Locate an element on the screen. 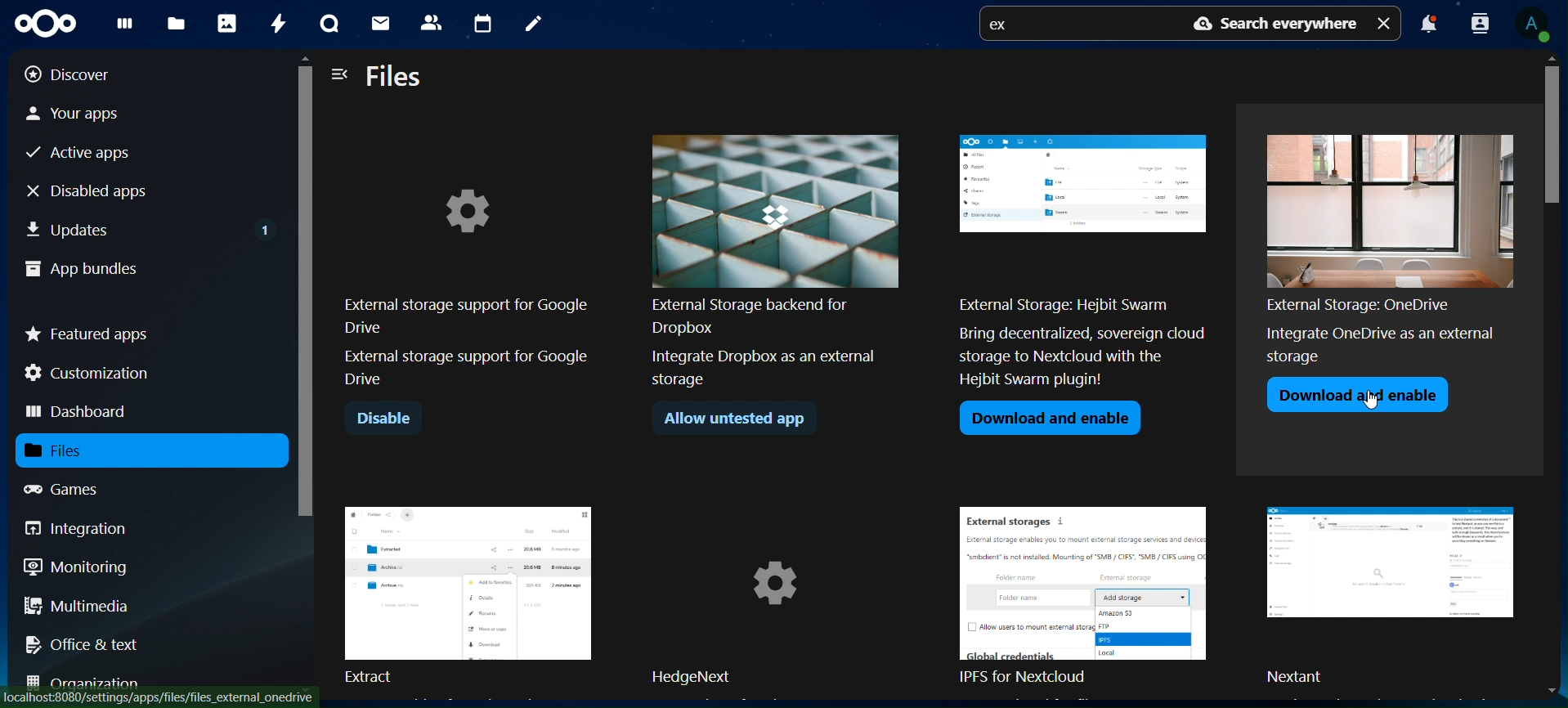  files is located at coordinates (396, 78).